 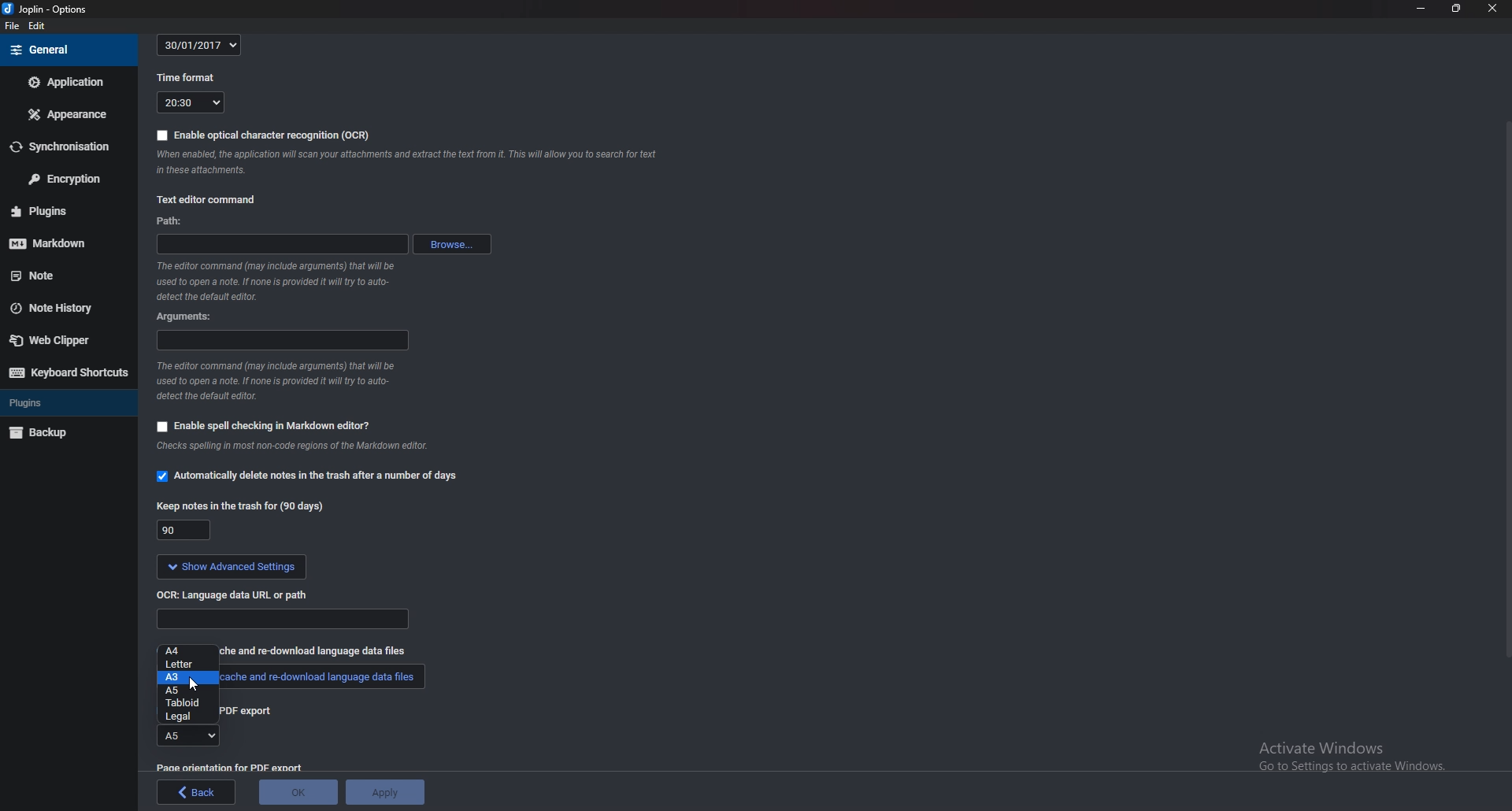 What do you see at coordinates (387, 791) in the screenshot?
I see `Apply` at bounding box center [387, 791].